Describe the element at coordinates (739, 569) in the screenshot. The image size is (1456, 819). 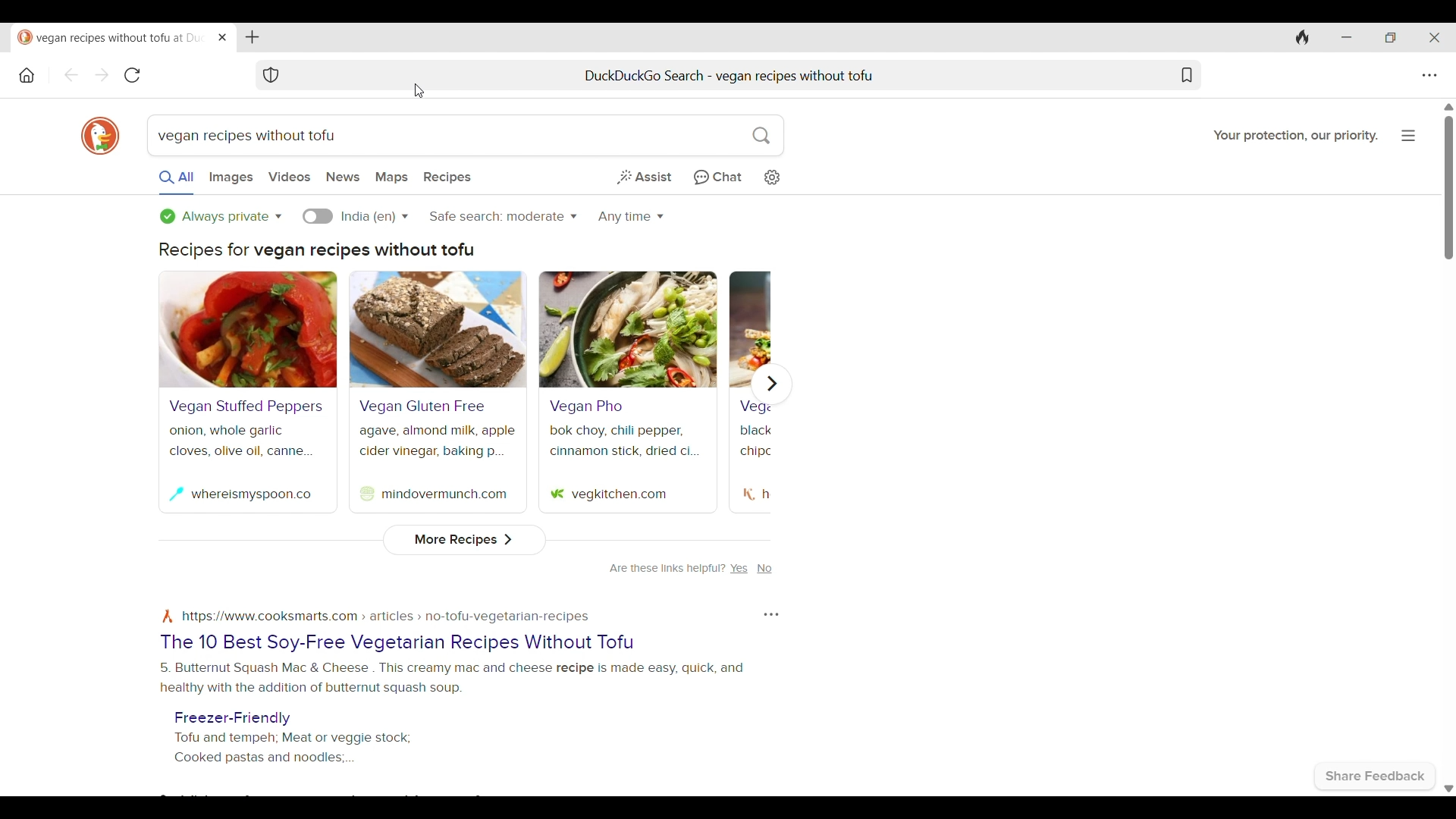
I see `Yes` at that location.